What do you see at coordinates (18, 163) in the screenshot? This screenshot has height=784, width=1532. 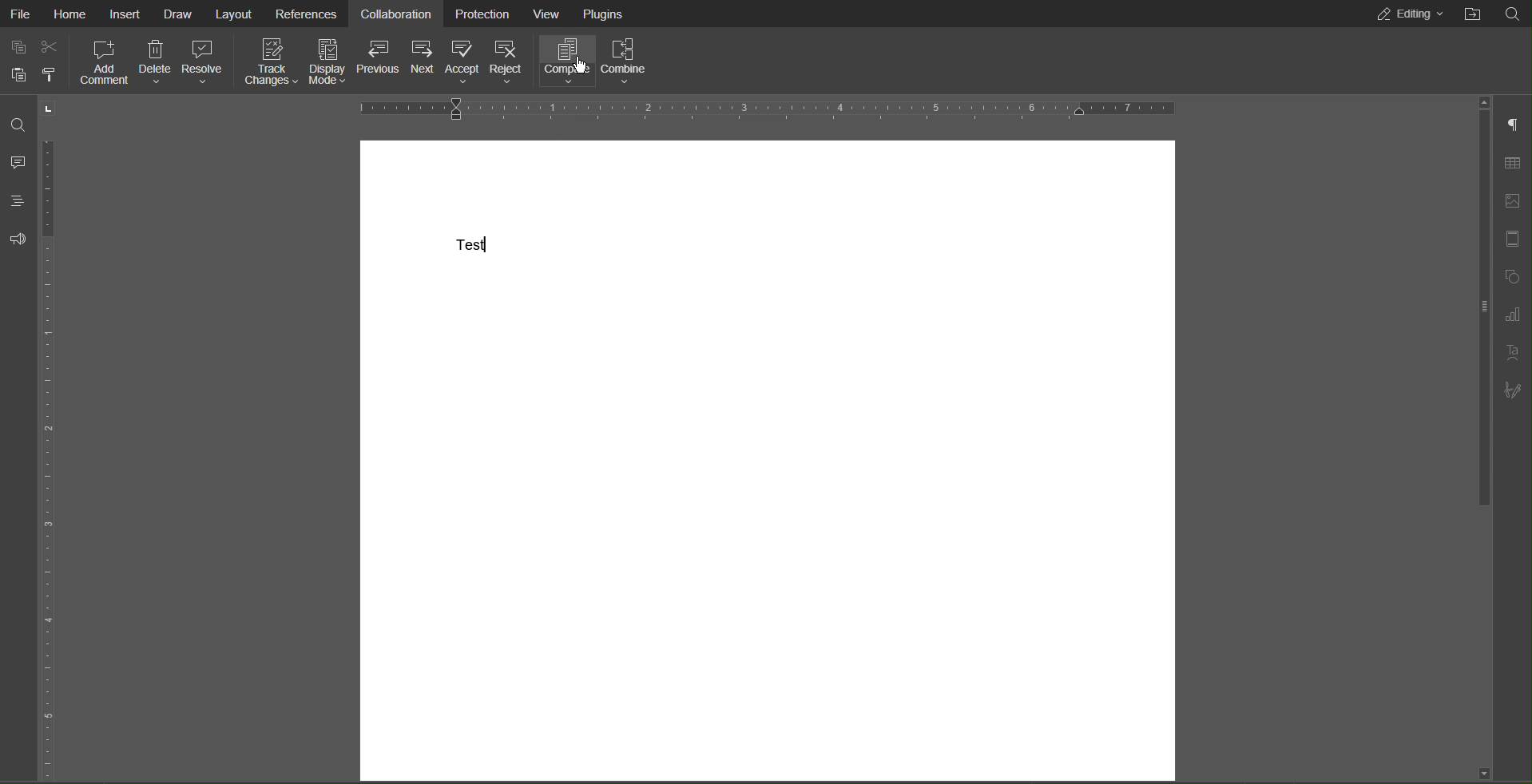 I see `Comment` at bounding box center [18, 163].